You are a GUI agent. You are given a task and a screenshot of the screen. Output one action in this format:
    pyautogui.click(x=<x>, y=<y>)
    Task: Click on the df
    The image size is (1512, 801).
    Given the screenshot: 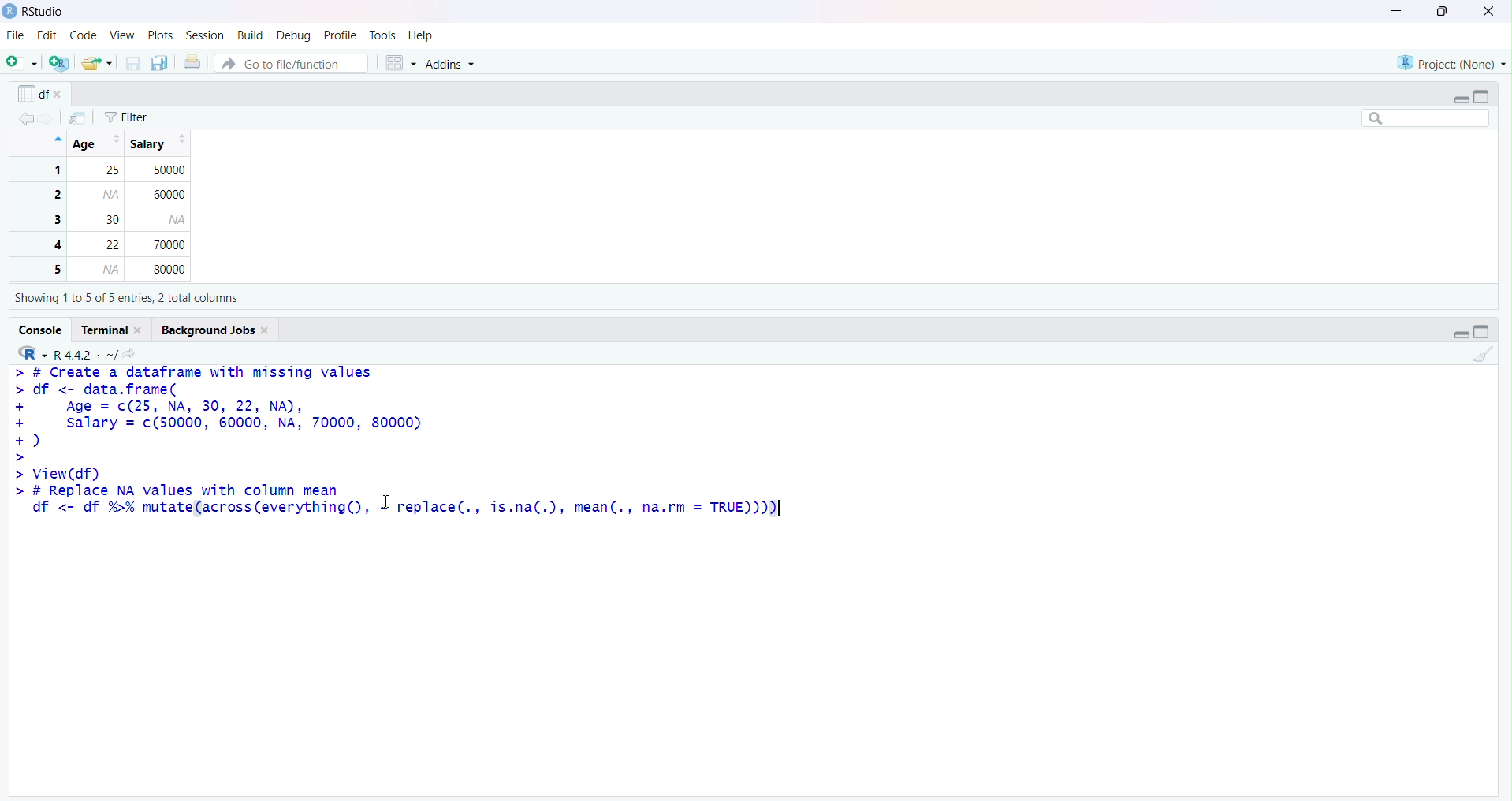 What is the action you would take?
    pyautogui.click(x=45, y=91)
    